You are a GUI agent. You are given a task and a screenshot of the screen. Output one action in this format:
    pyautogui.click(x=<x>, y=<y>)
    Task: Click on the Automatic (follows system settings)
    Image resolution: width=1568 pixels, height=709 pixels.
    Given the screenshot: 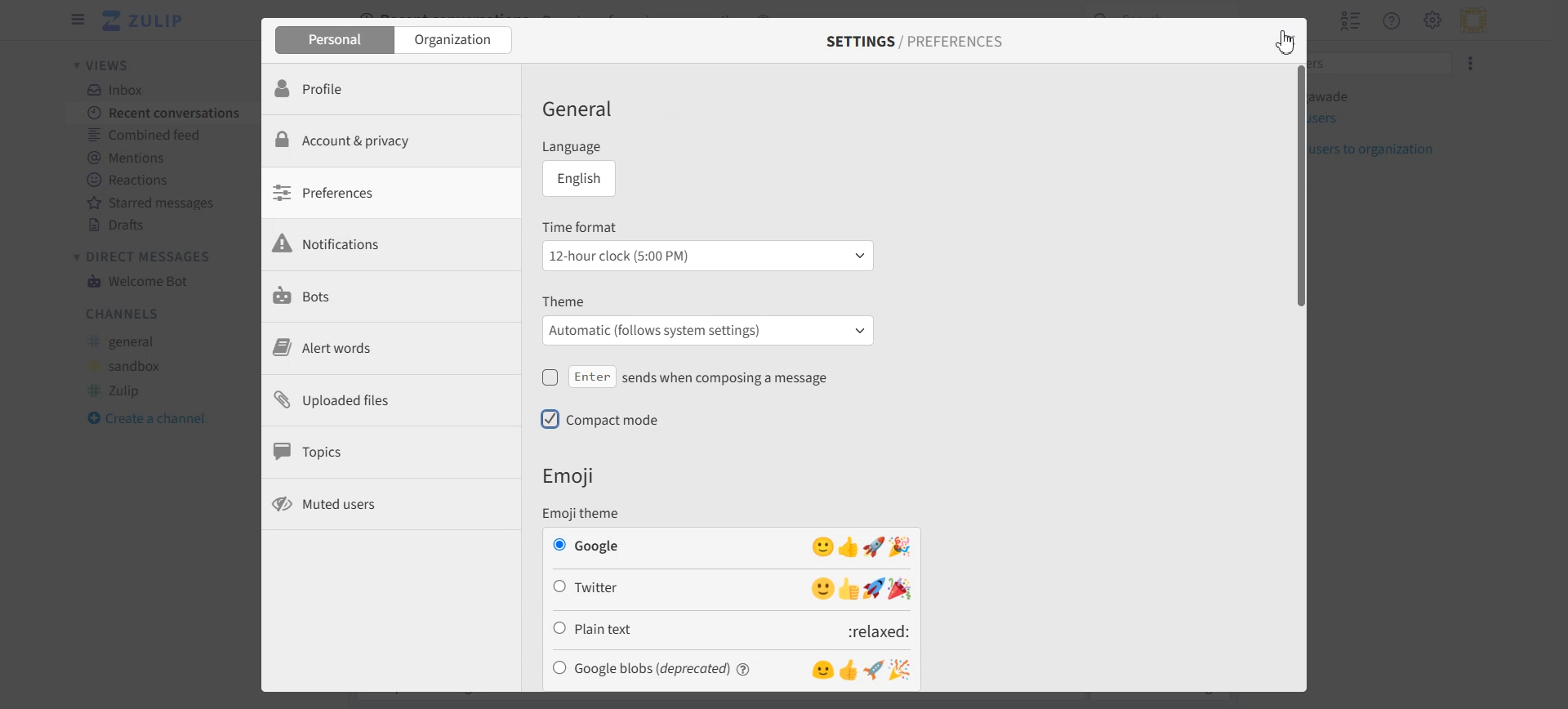 What is the action you would take?
    pyautogui.click(x=710, y=330)
    